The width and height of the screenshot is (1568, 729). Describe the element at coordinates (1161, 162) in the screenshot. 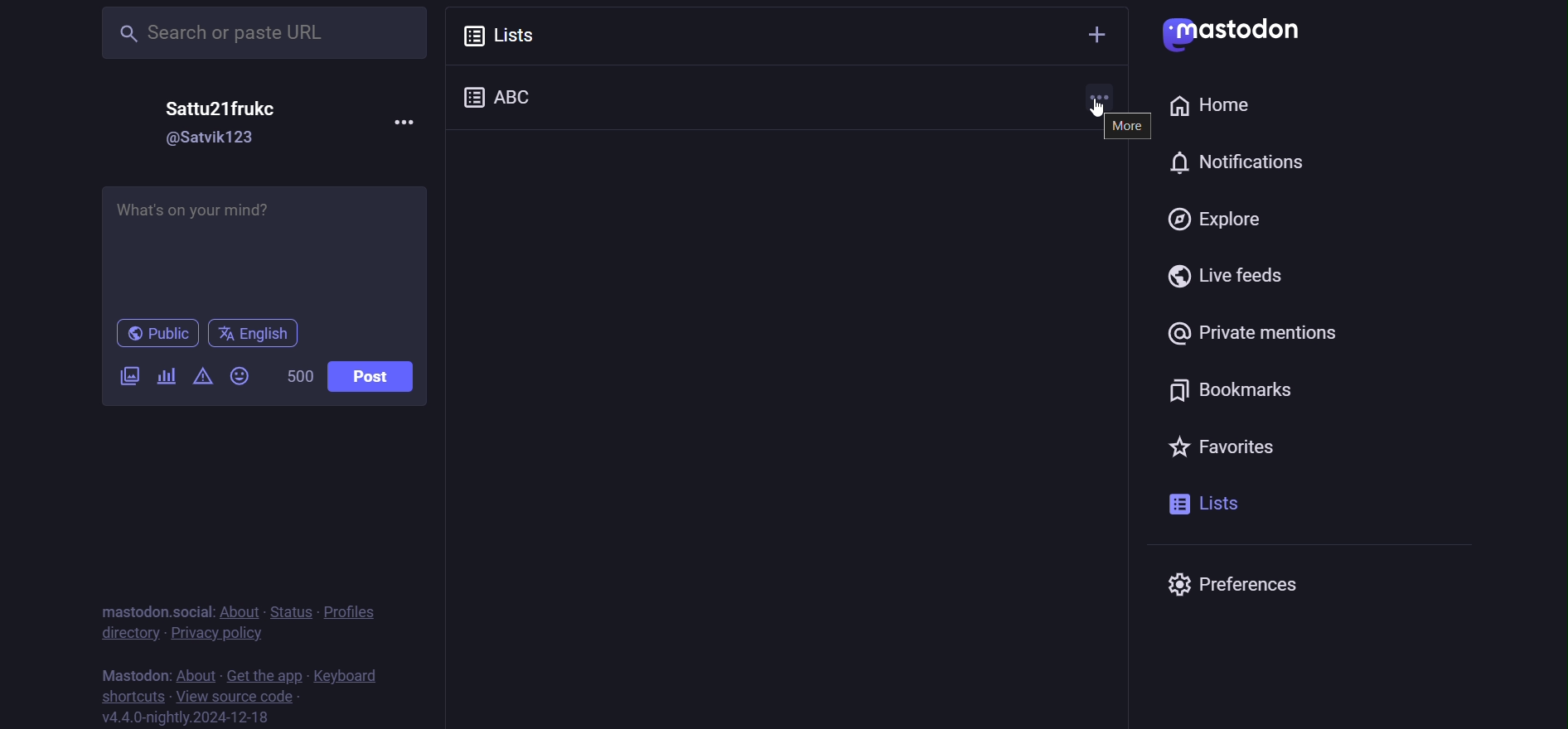

I see `notification` at that location.